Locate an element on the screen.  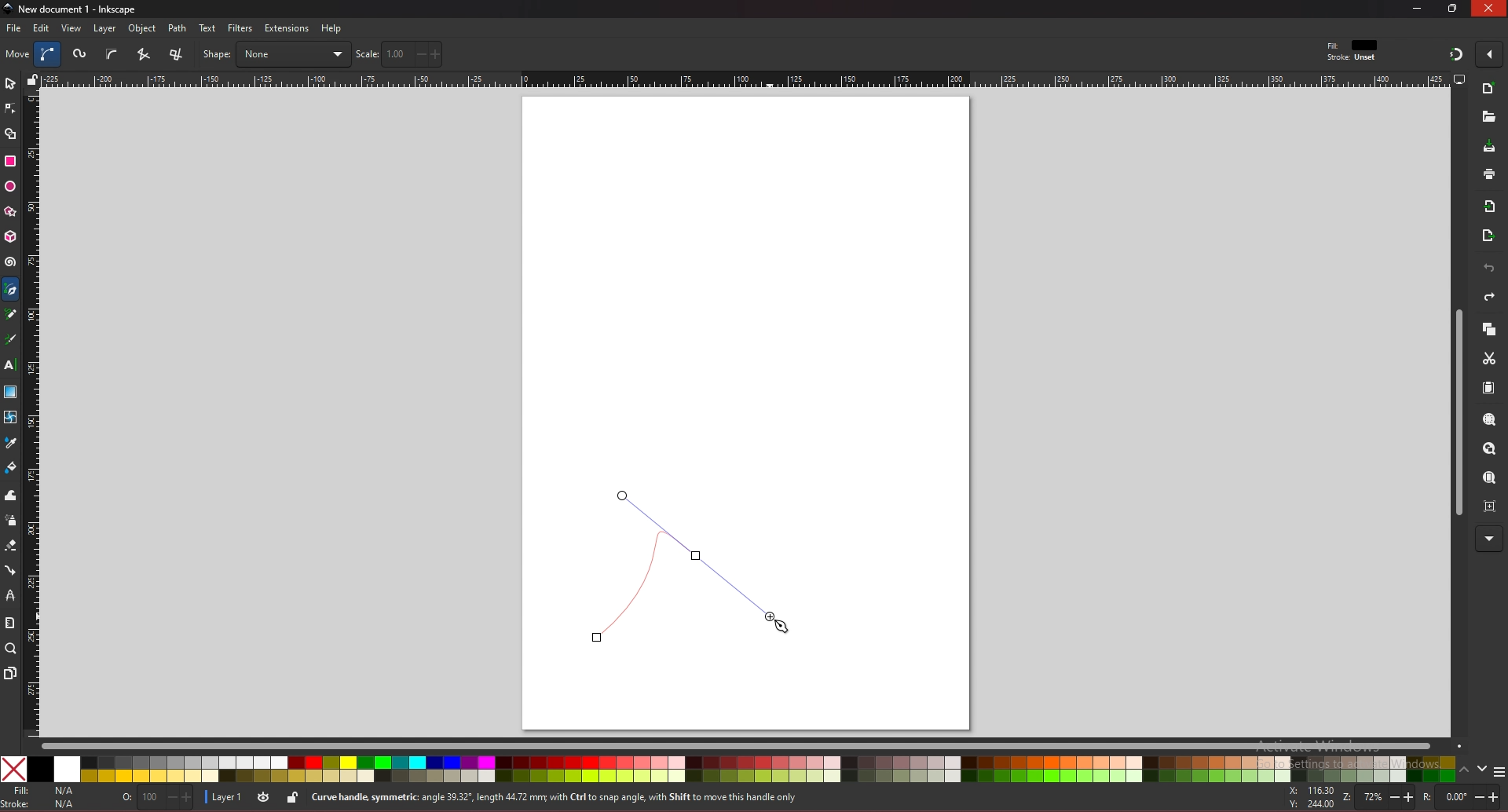
zoom is located at coordinates (1376, 799).